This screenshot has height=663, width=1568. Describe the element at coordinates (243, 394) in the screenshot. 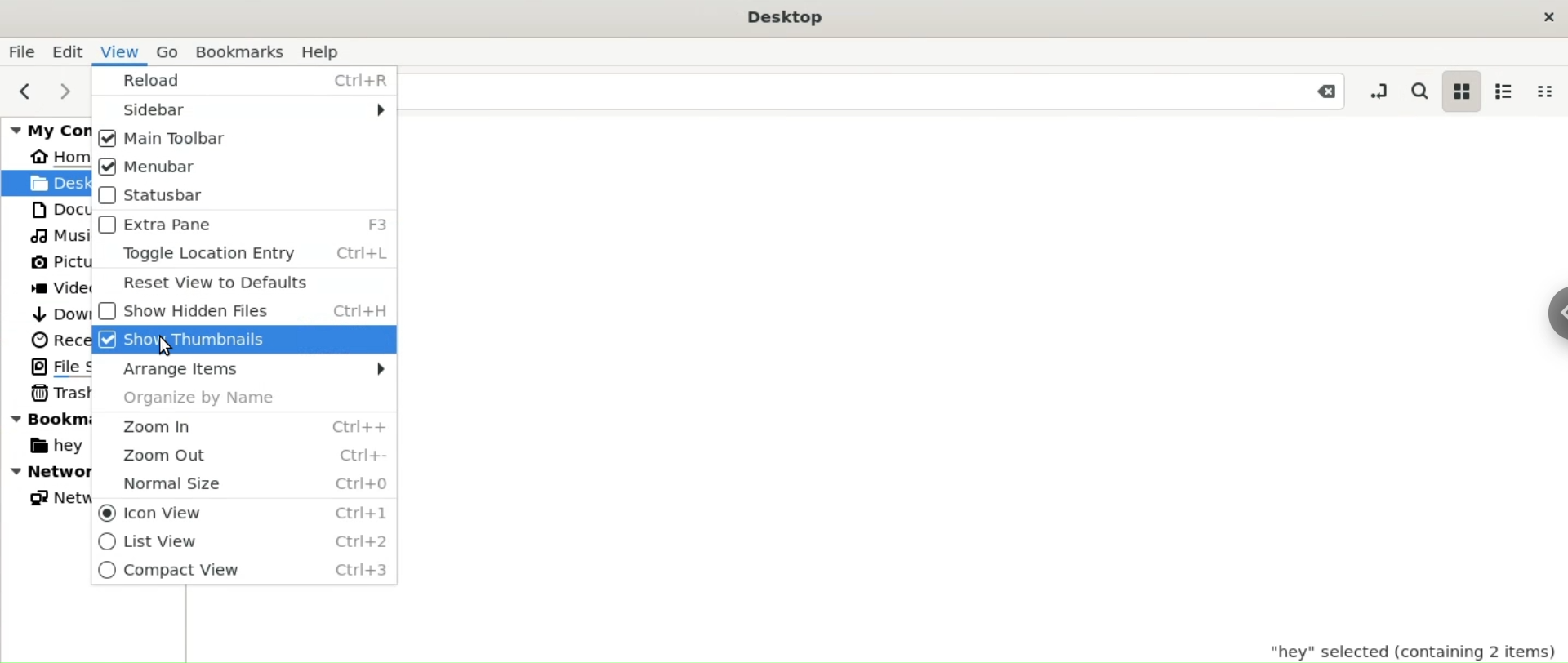

I see `Organize by Name` at that location.